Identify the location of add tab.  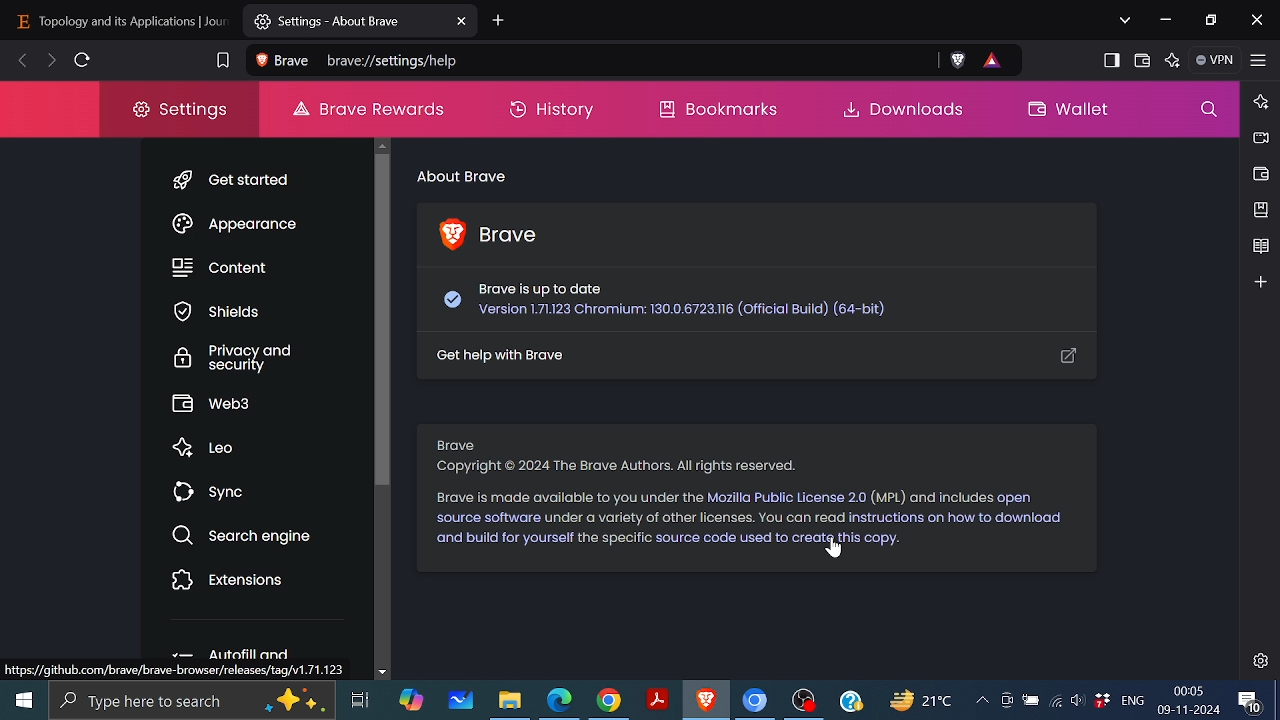
(499, 22).